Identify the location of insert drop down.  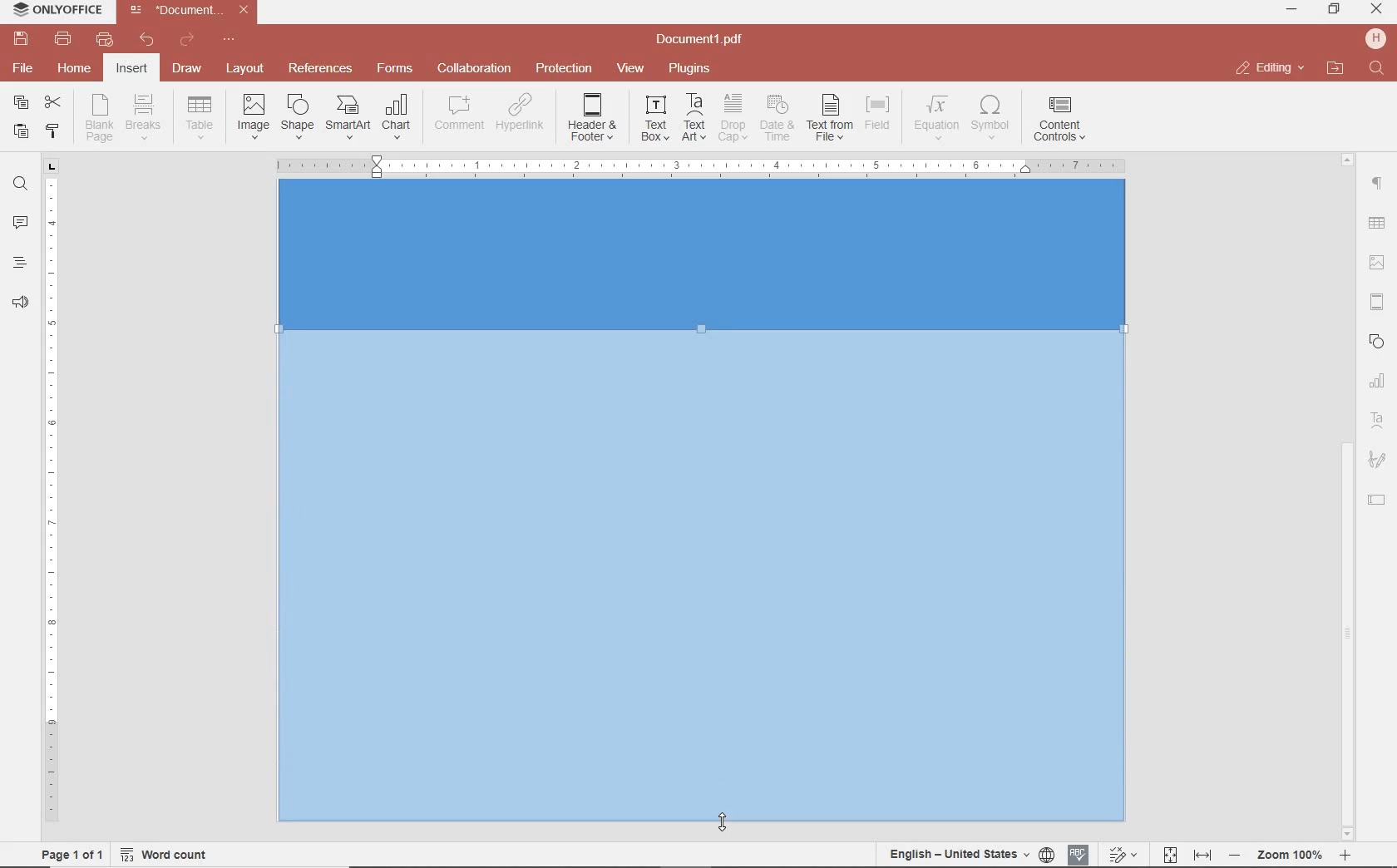
(205, 116).